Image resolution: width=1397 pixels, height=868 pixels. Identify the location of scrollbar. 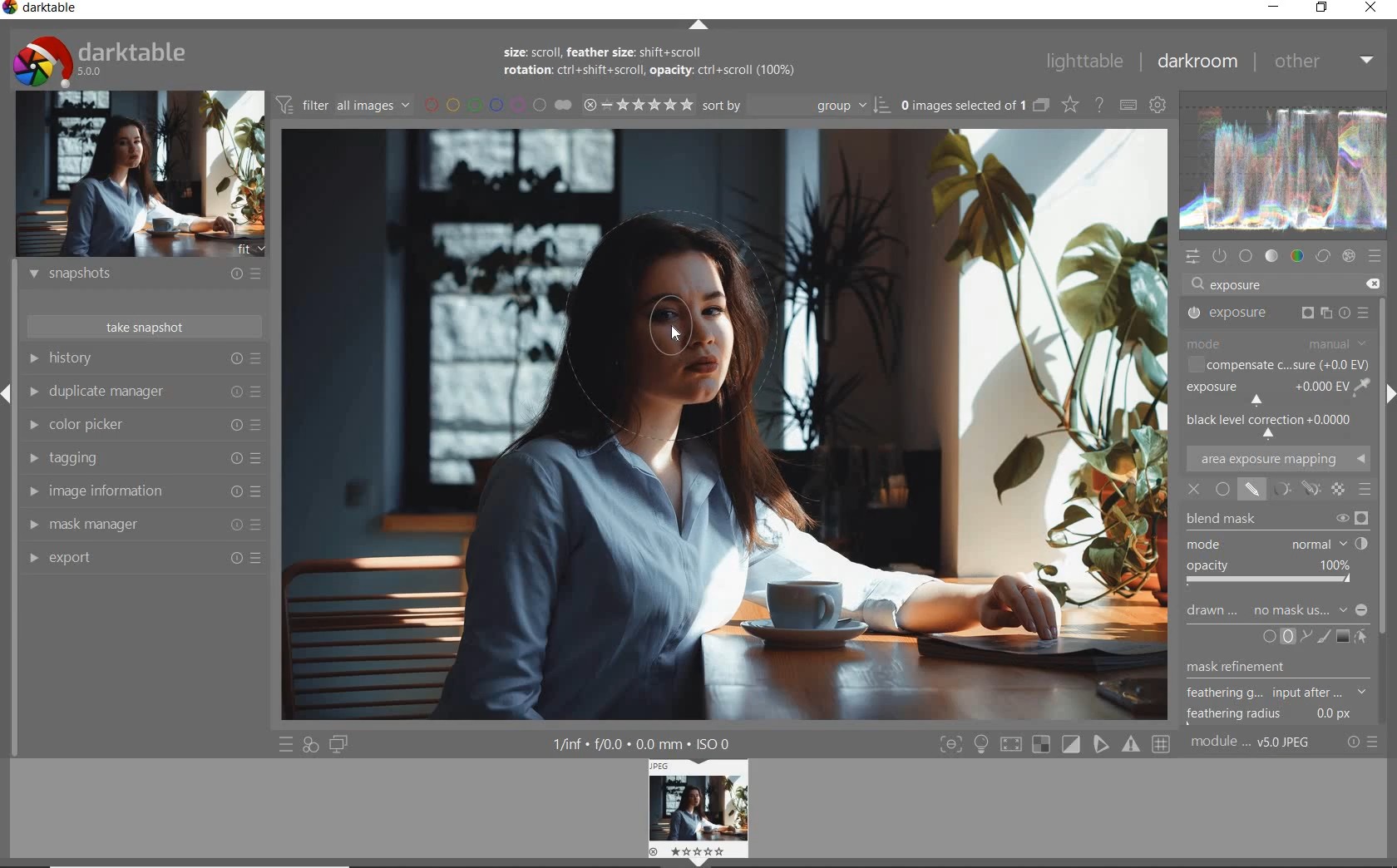
(1387, 512).